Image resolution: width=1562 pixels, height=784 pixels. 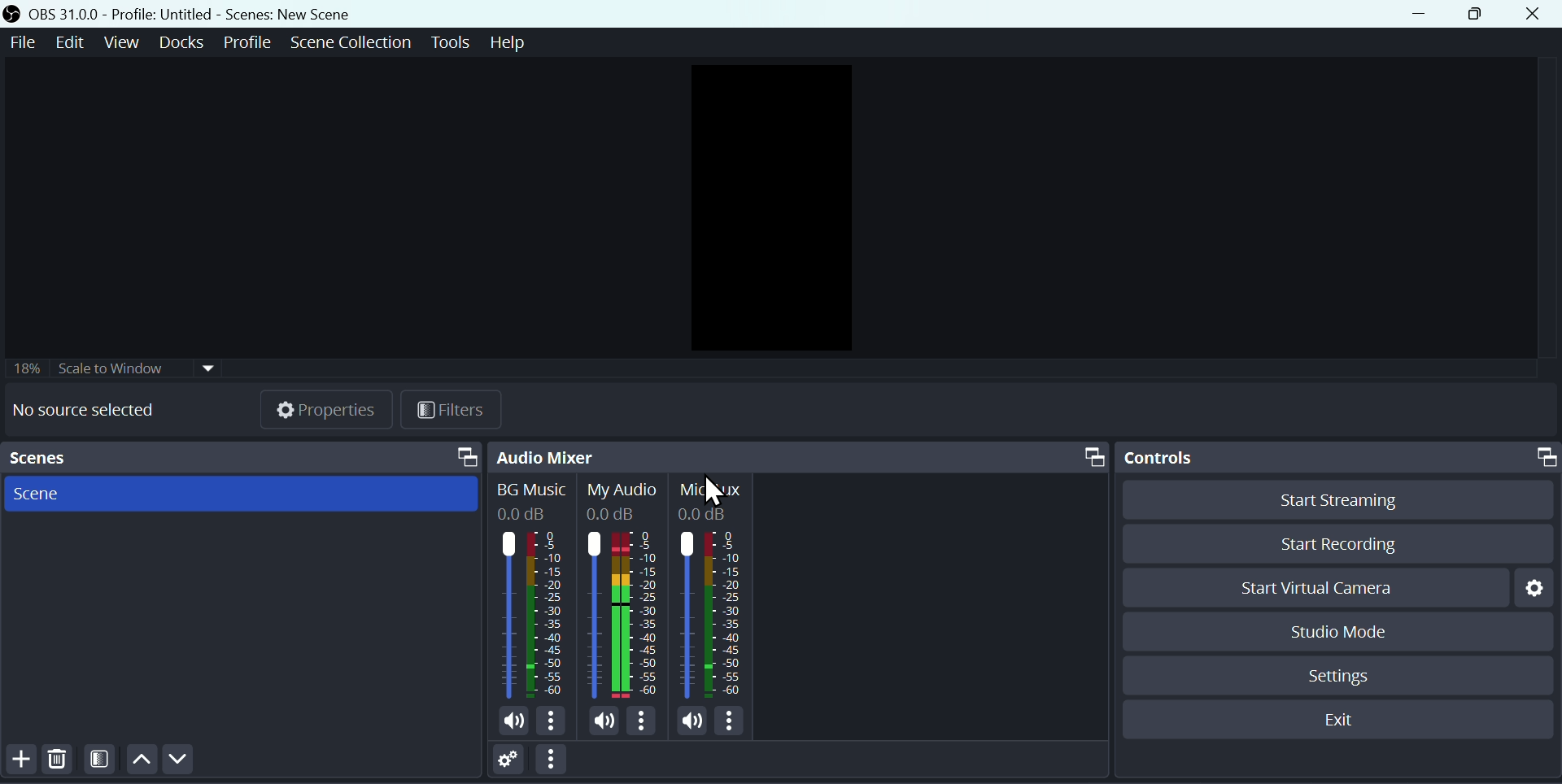 I want to click on Filters, so click(x=453, y=410).